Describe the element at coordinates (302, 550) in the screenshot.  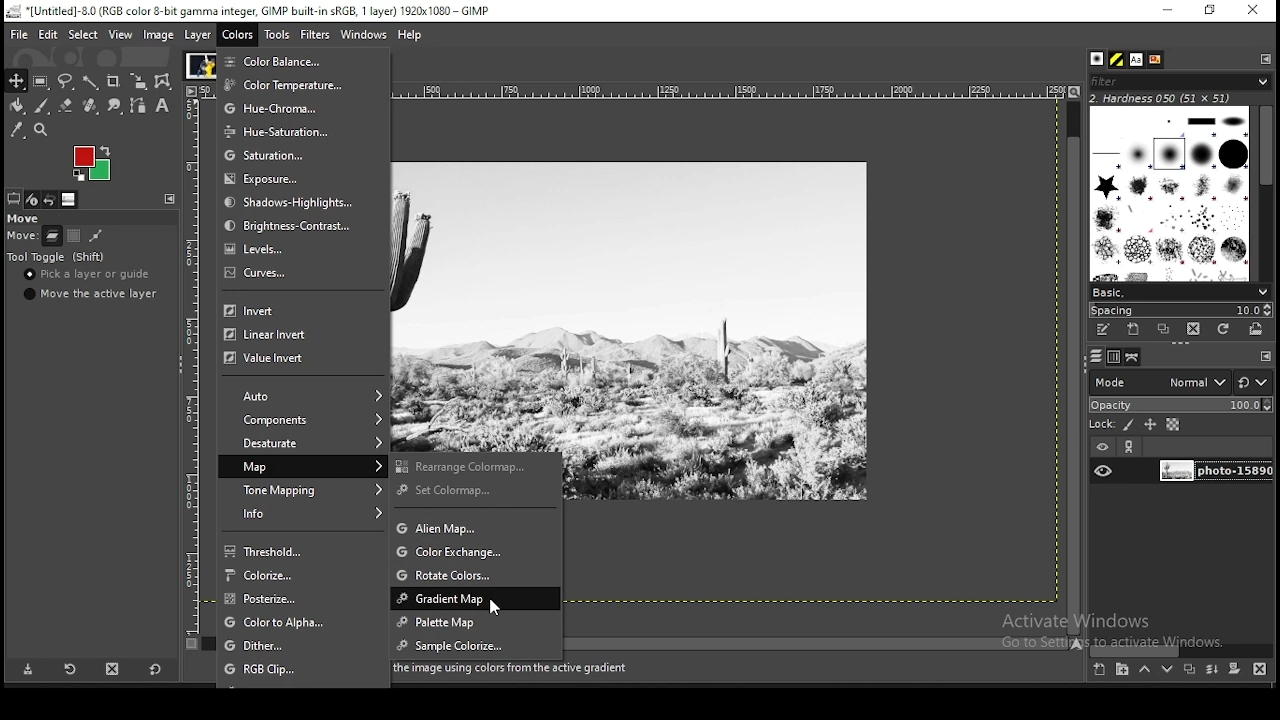
I see `threshold` at that location.